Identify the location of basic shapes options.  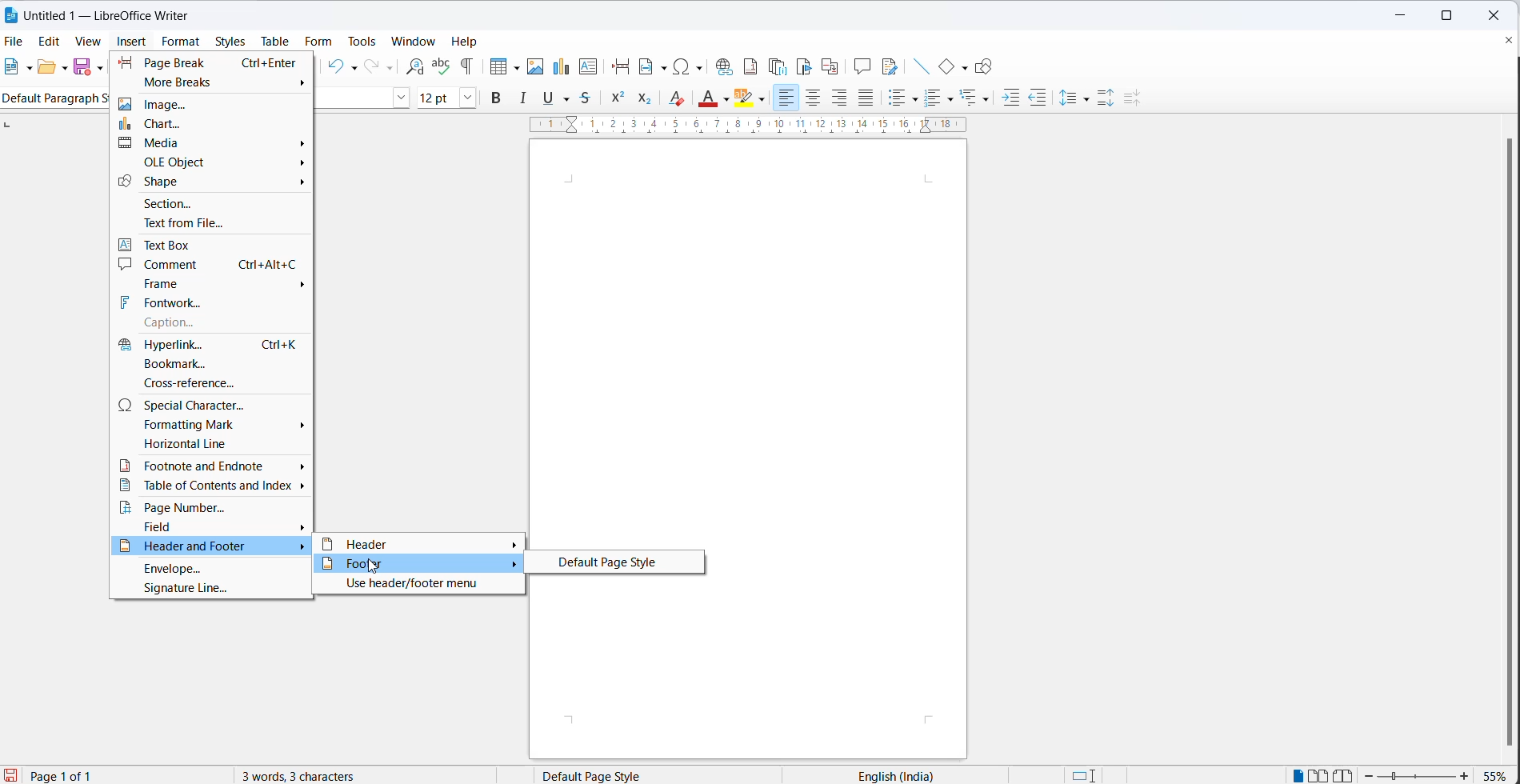
(966, 70).